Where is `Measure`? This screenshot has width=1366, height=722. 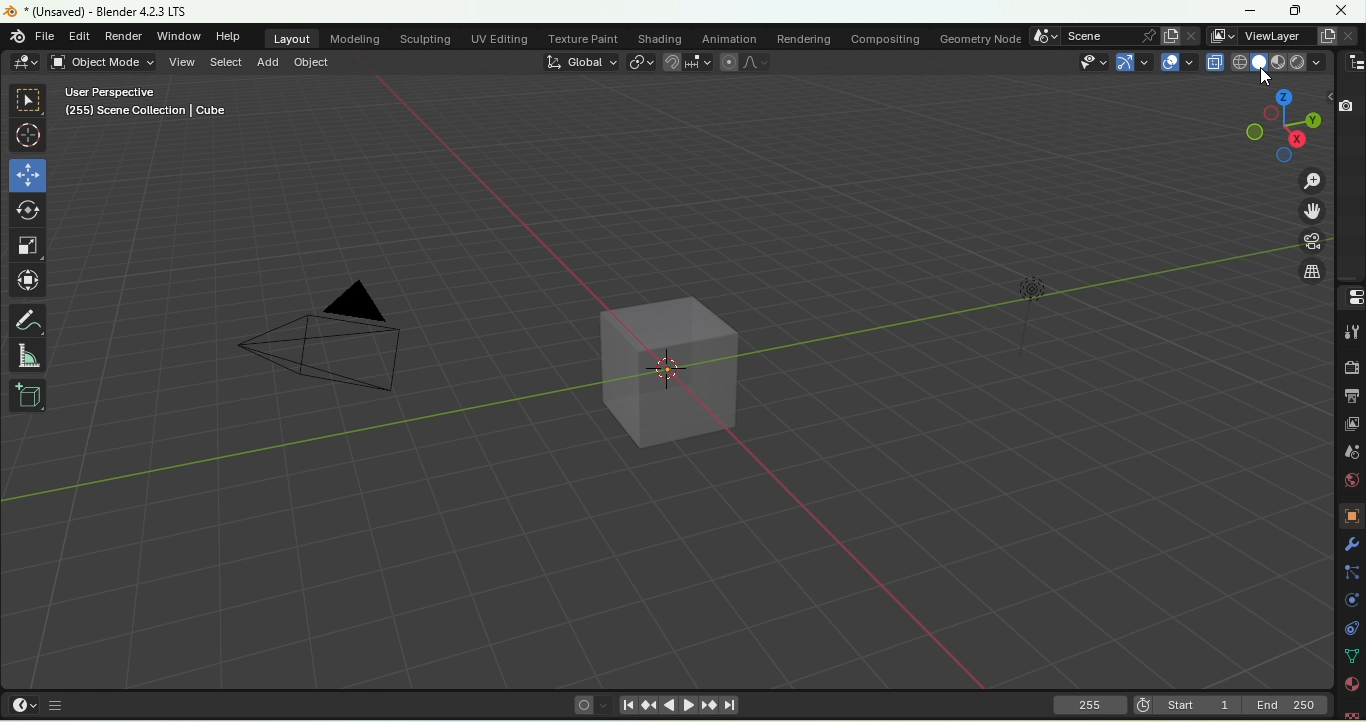 Measure is located at coordinates (27, 356).